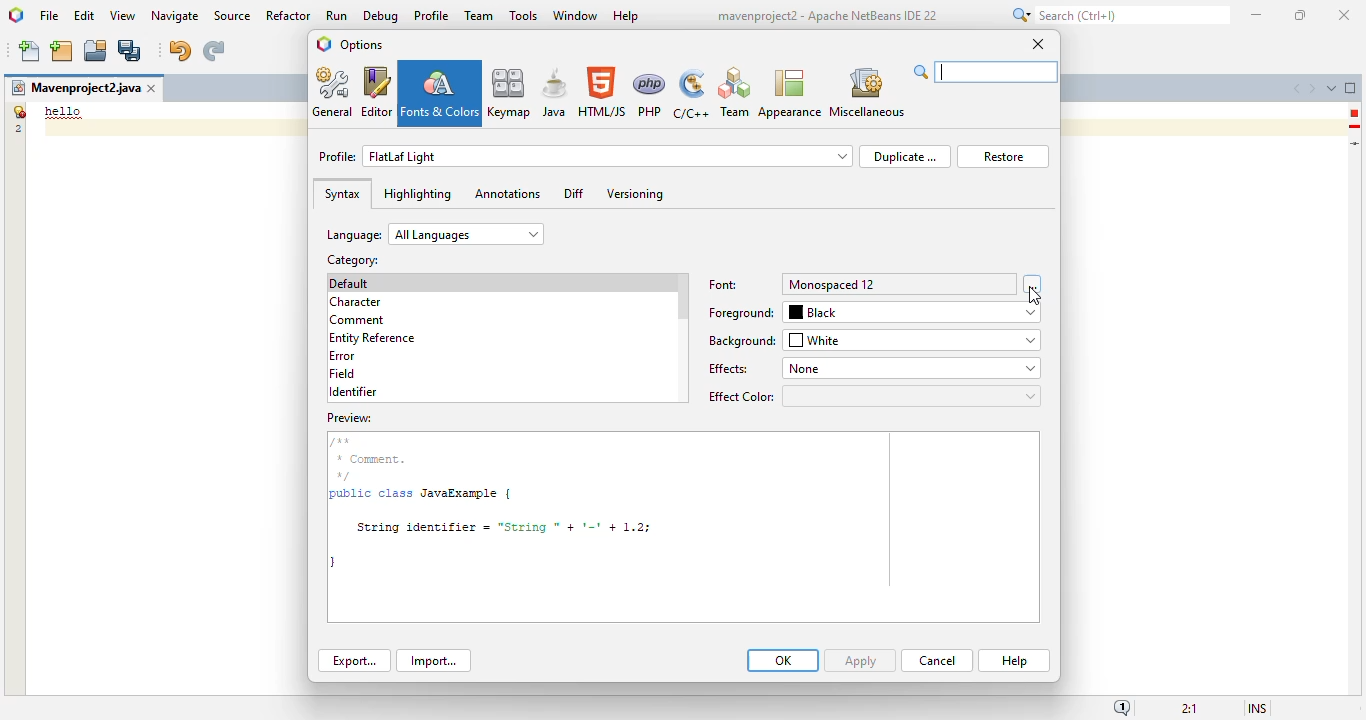 The height and width of the screenshot is (720, 1366). Describe the element at coordinates (1354, 113) in the screenshot. I see `error` at that location.